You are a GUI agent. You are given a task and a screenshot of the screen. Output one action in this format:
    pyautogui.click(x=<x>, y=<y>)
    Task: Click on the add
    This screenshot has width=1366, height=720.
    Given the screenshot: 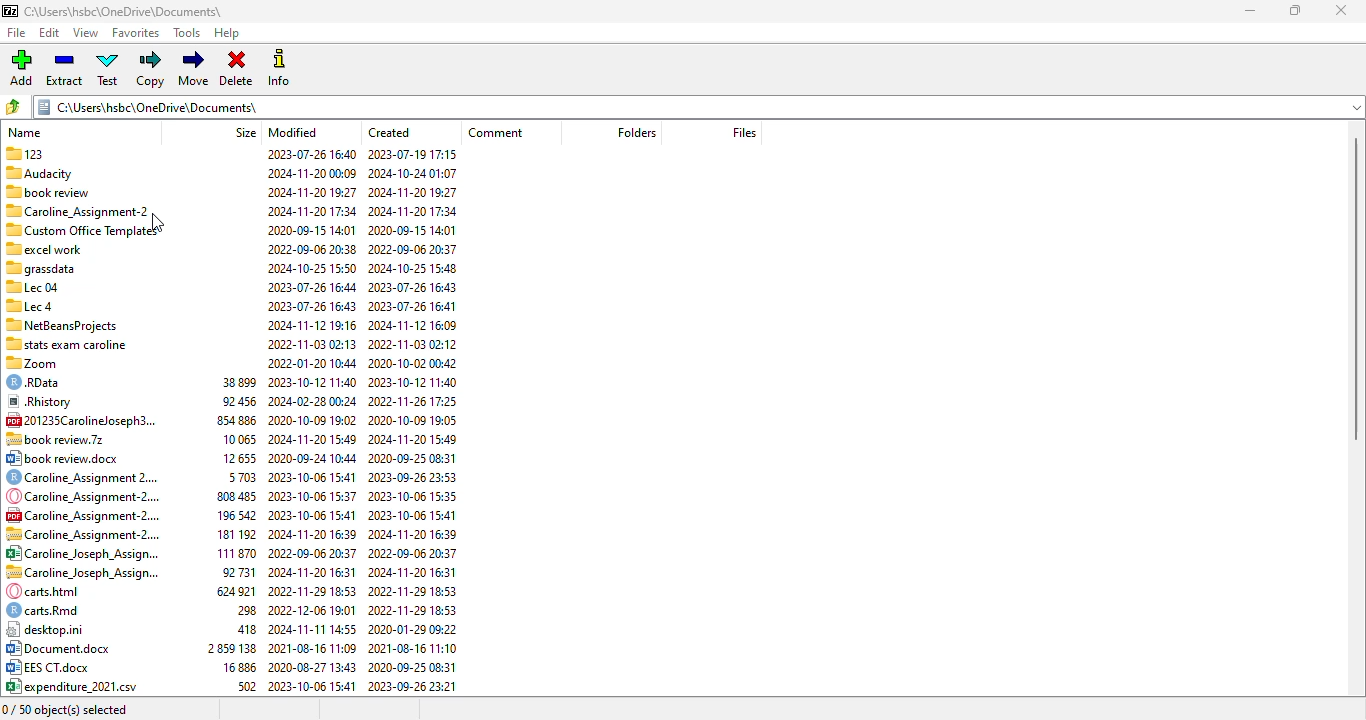 What is the action you would take?
    pyautogui.click(x=20, y=68)
    